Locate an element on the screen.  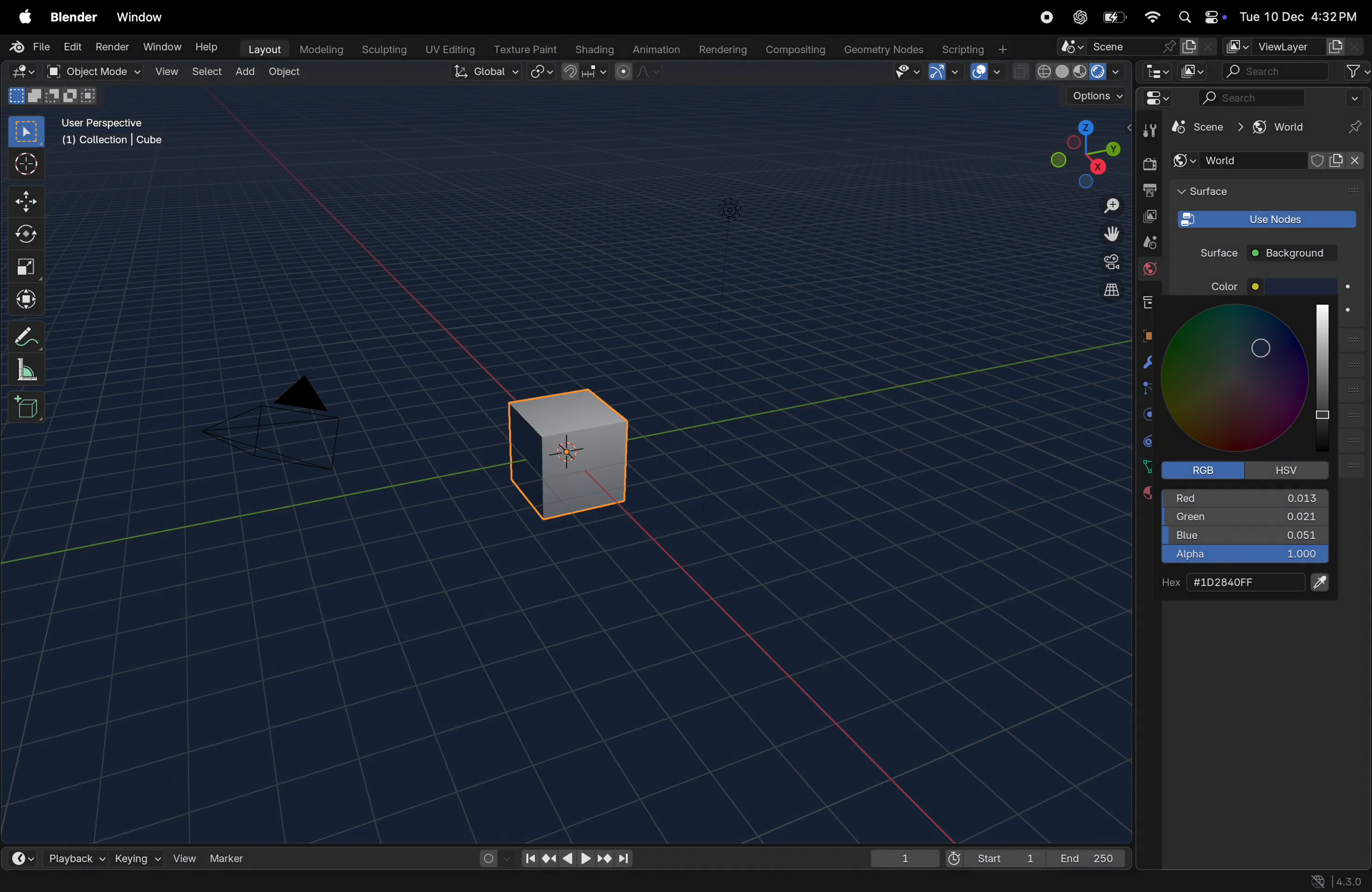
Global is located at coordinates (487, 73).